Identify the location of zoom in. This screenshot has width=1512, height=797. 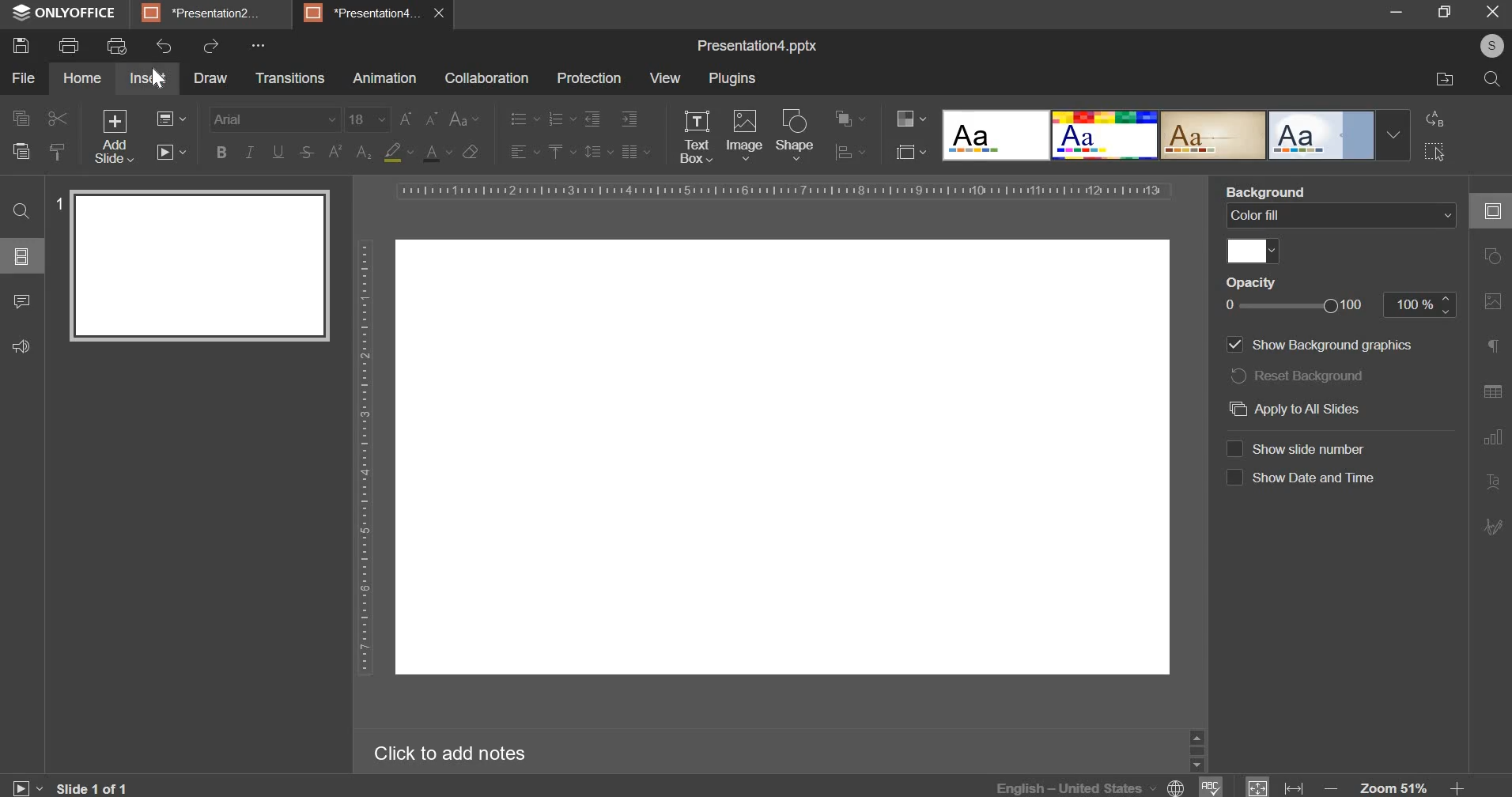
(1464, 788).